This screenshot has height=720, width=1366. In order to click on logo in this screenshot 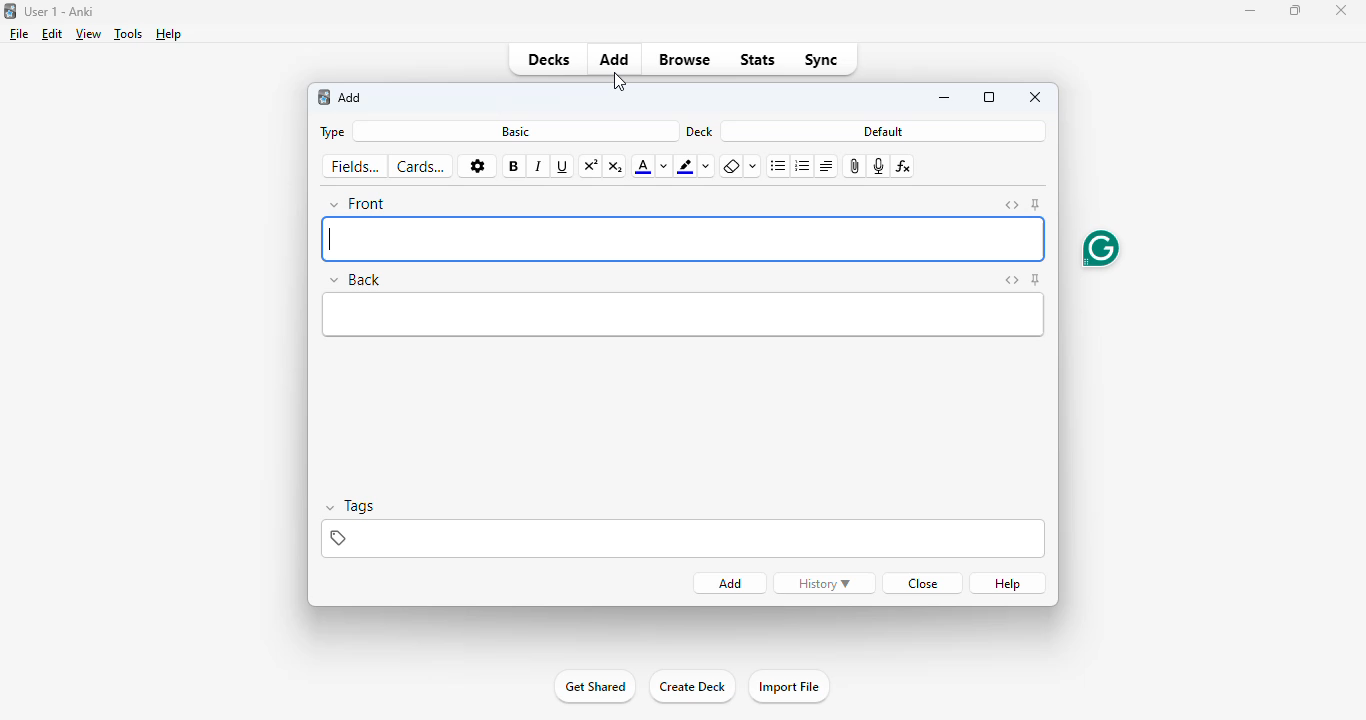, I will do `click(323, 97)`.